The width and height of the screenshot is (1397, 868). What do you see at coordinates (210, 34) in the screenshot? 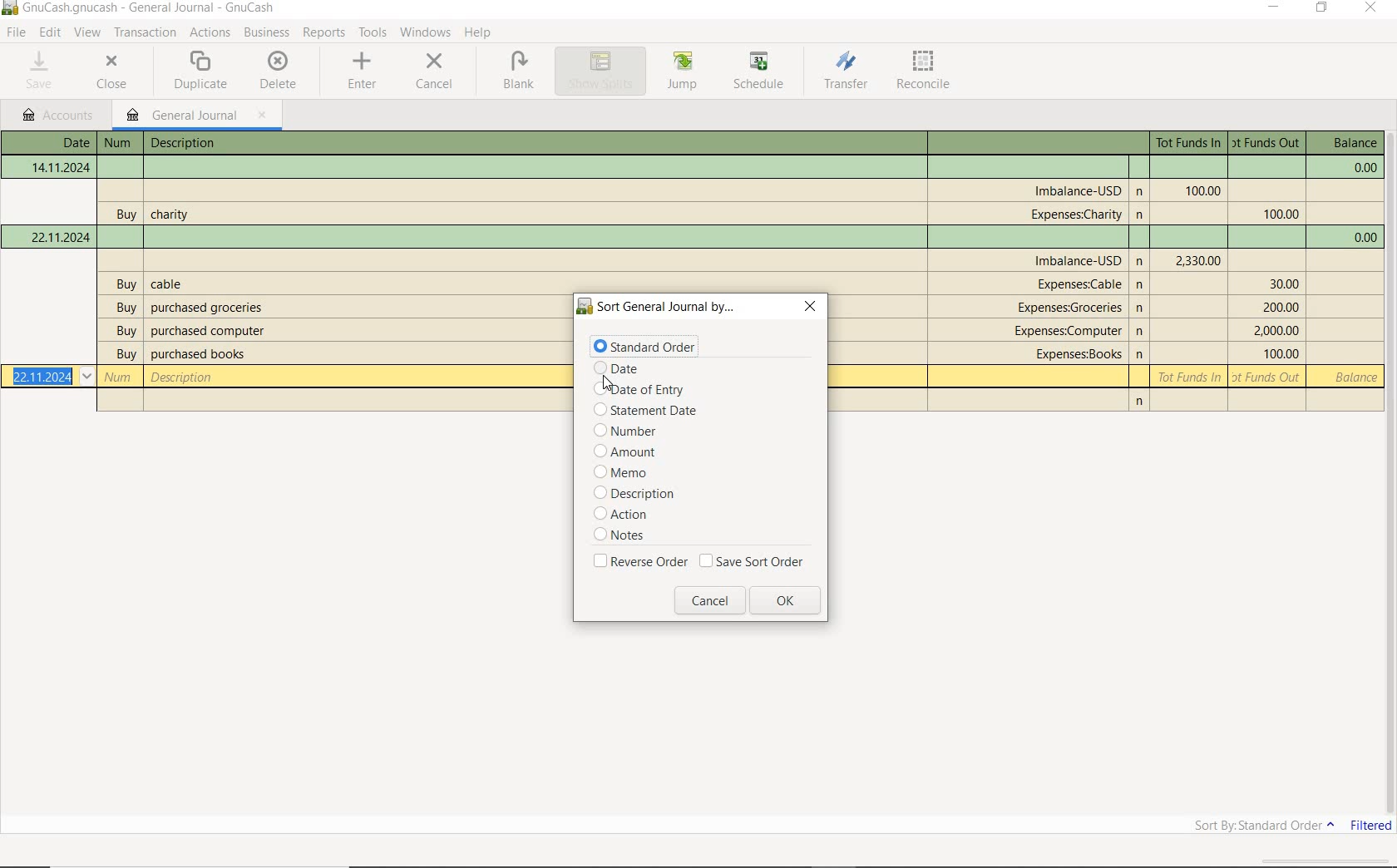
I see `ACTIONS` at bounding box center [210, 34].